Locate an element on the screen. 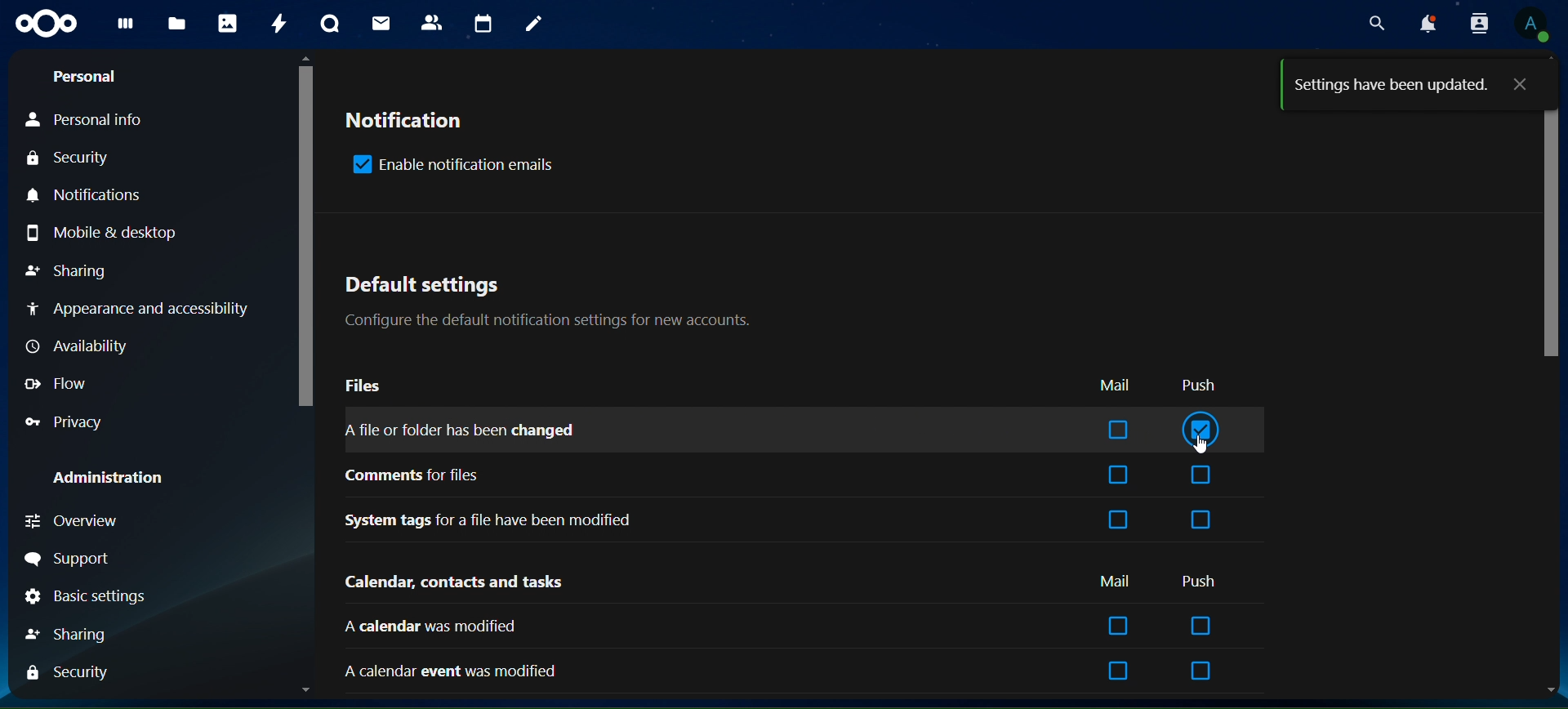  notification is located at coordinates (410, 125).